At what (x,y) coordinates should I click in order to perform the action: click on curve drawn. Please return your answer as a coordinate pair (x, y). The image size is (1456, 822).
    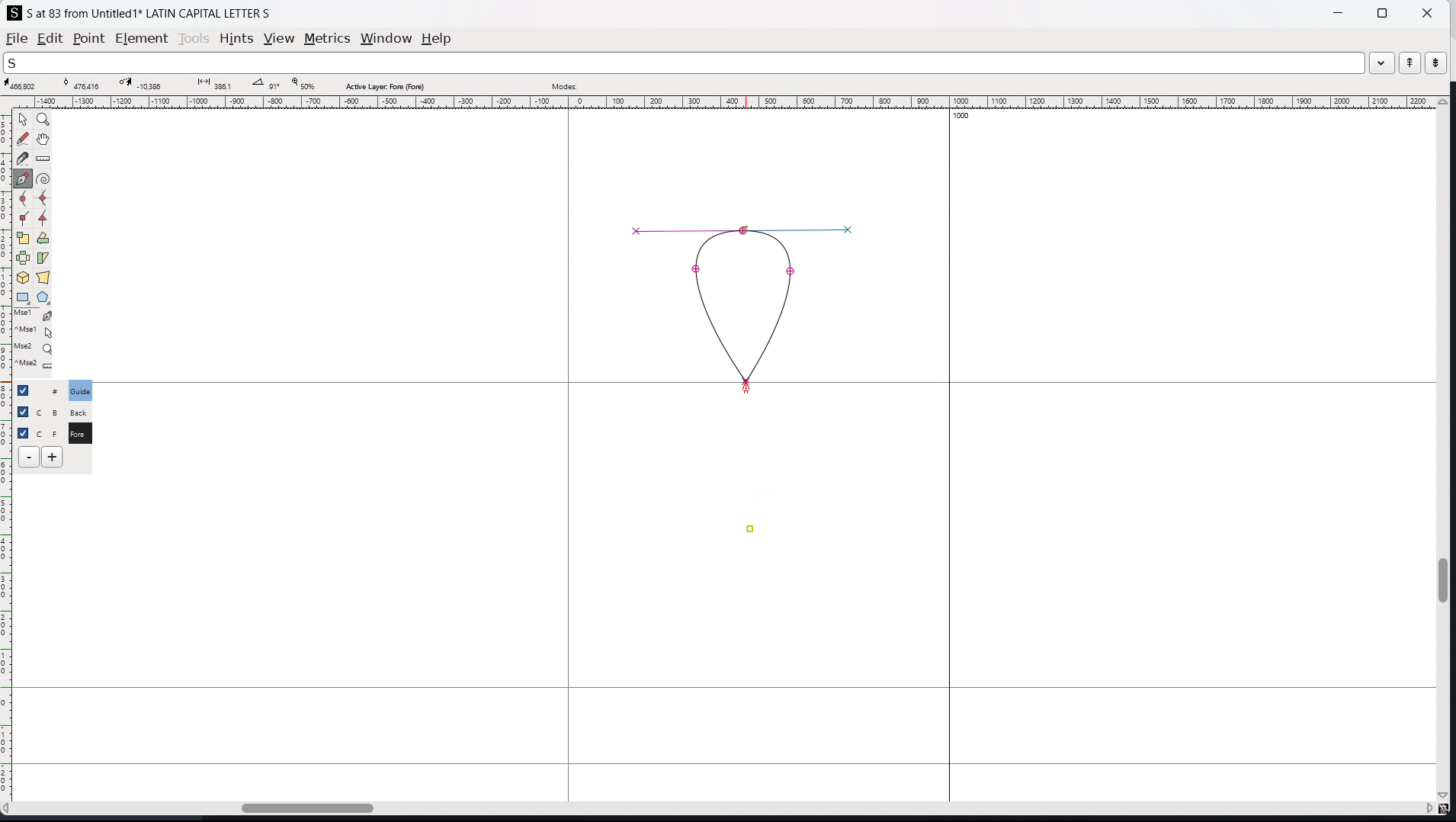
    Looking at the image, I should click on (745, 303).